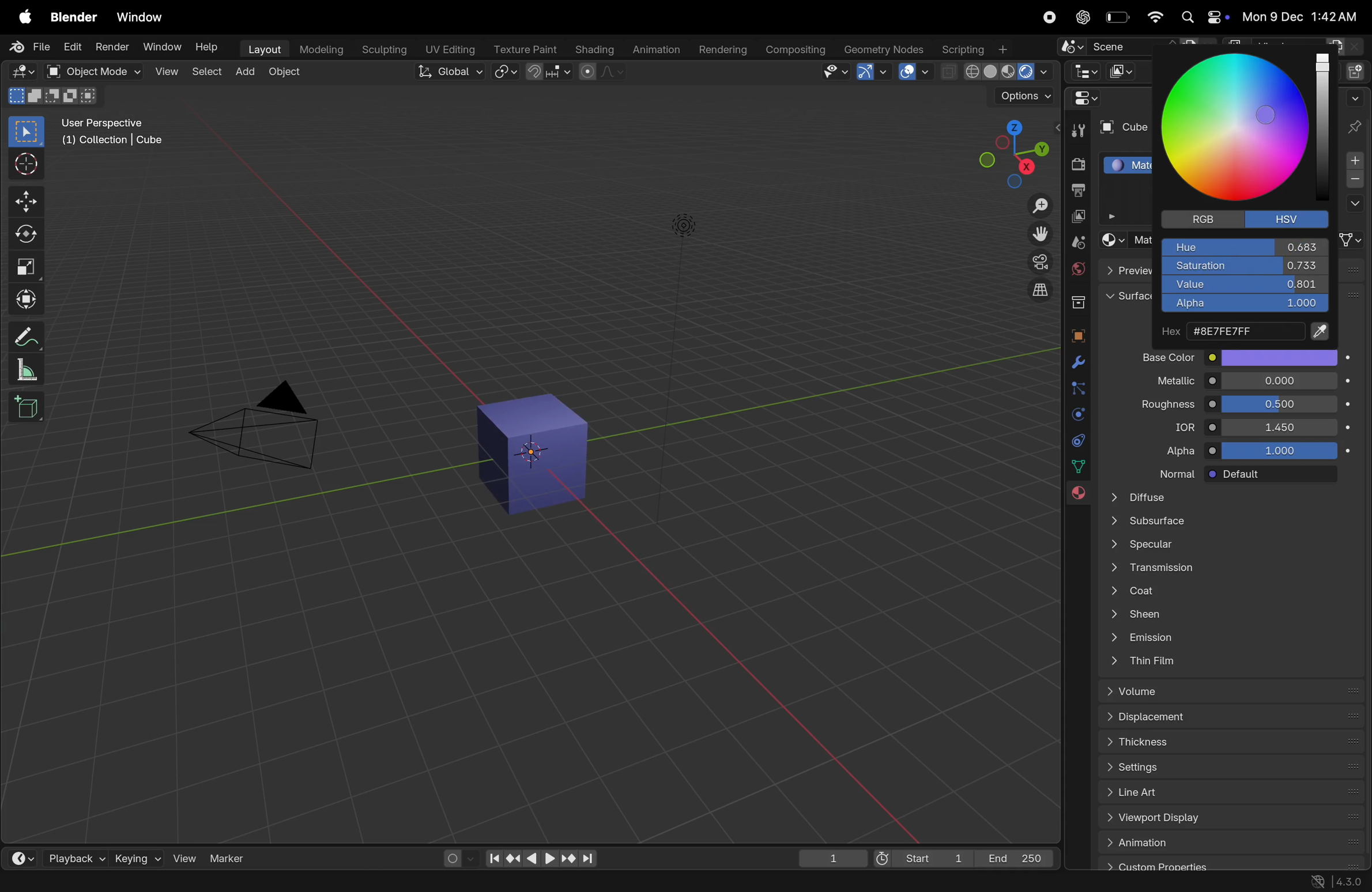  What do you see at coordinates (1280, 426) in the screenshot?
I see `1.450` at bounding box center [1280, 426].